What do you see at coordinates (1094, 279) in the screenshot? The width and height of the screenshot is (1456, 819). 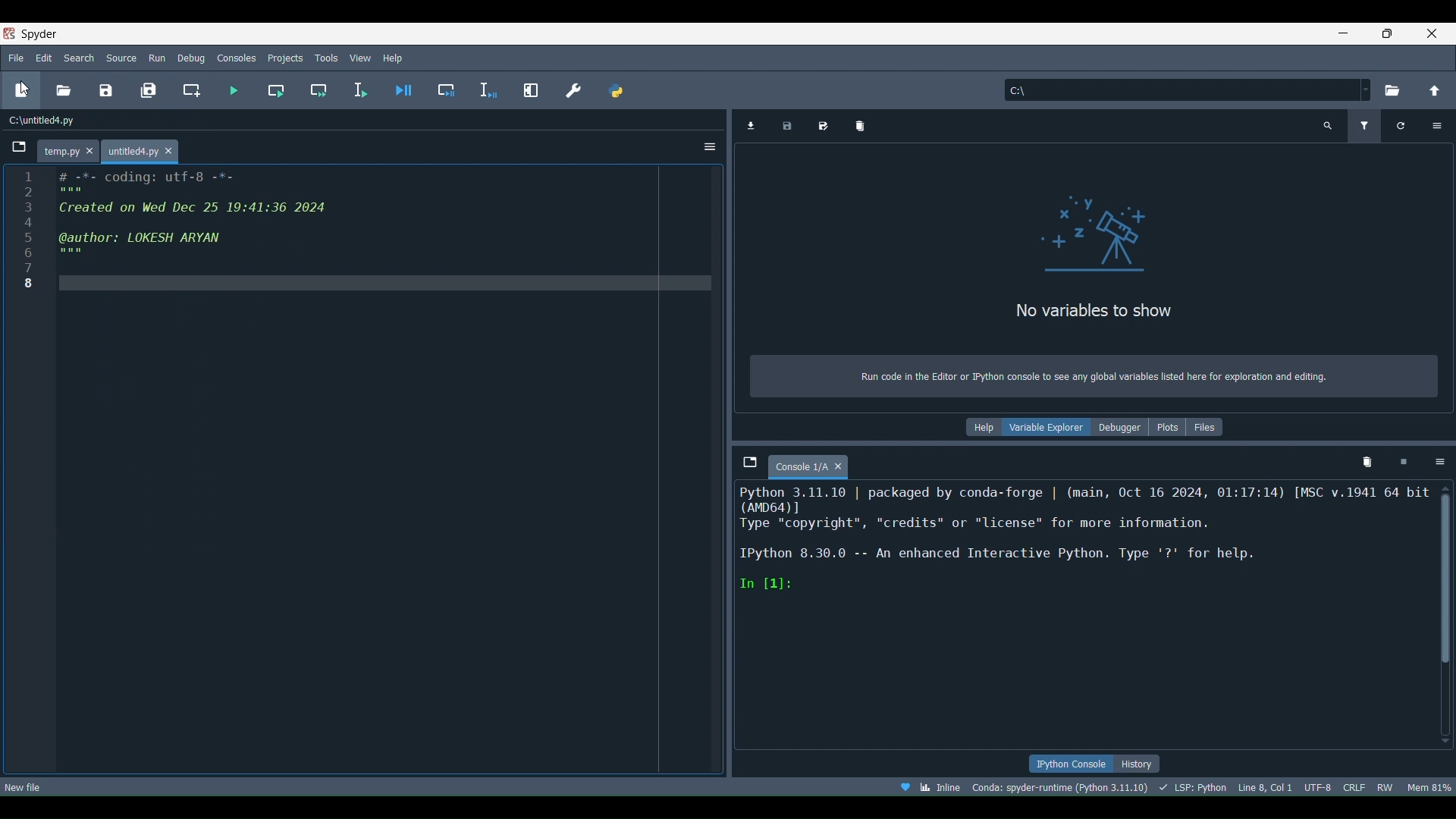 I see `Text` at bounding box center [1094, 279].